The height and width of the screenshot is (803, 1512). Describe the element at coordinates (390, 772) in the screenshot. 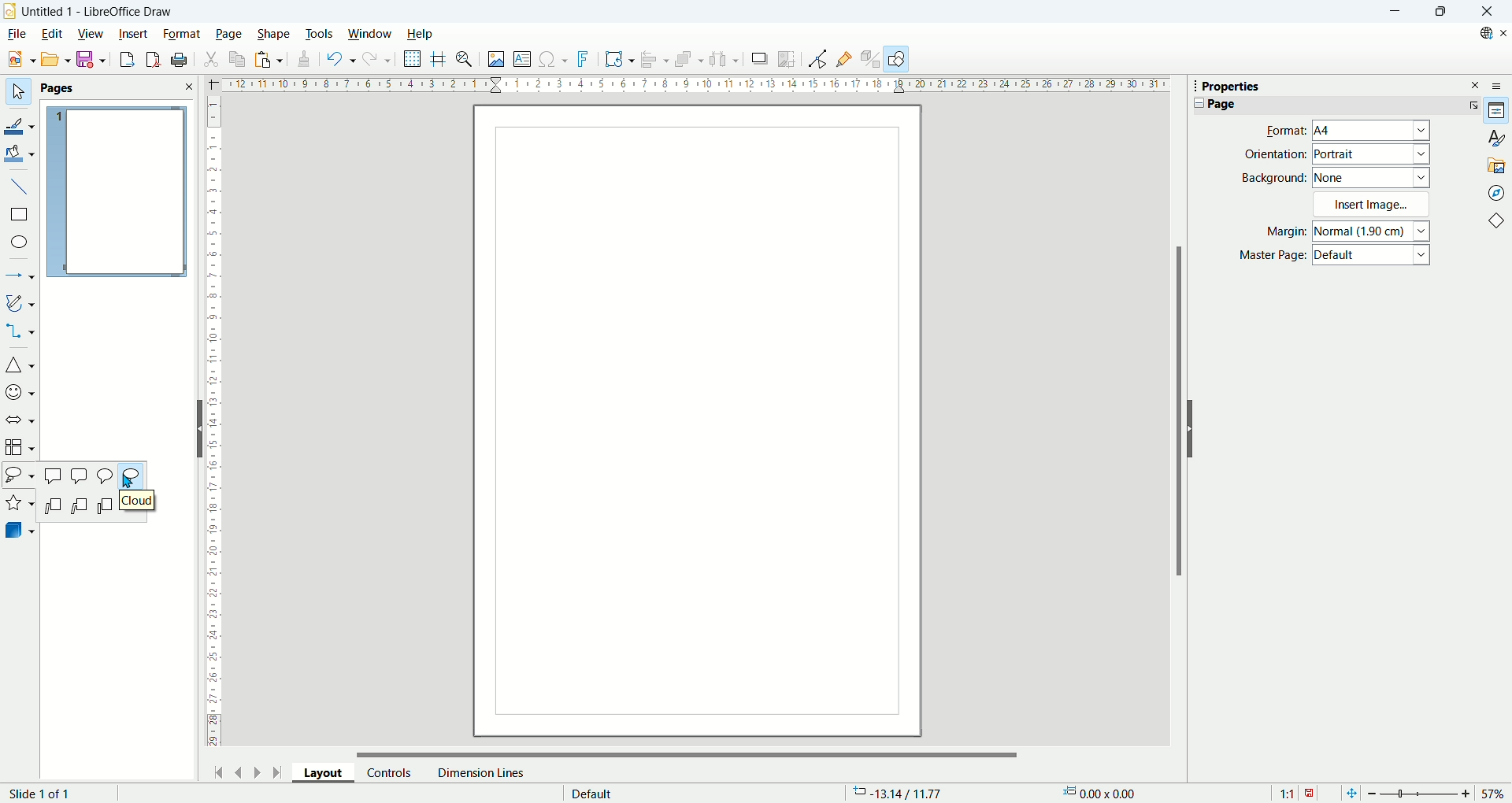

I see `control` at that location.